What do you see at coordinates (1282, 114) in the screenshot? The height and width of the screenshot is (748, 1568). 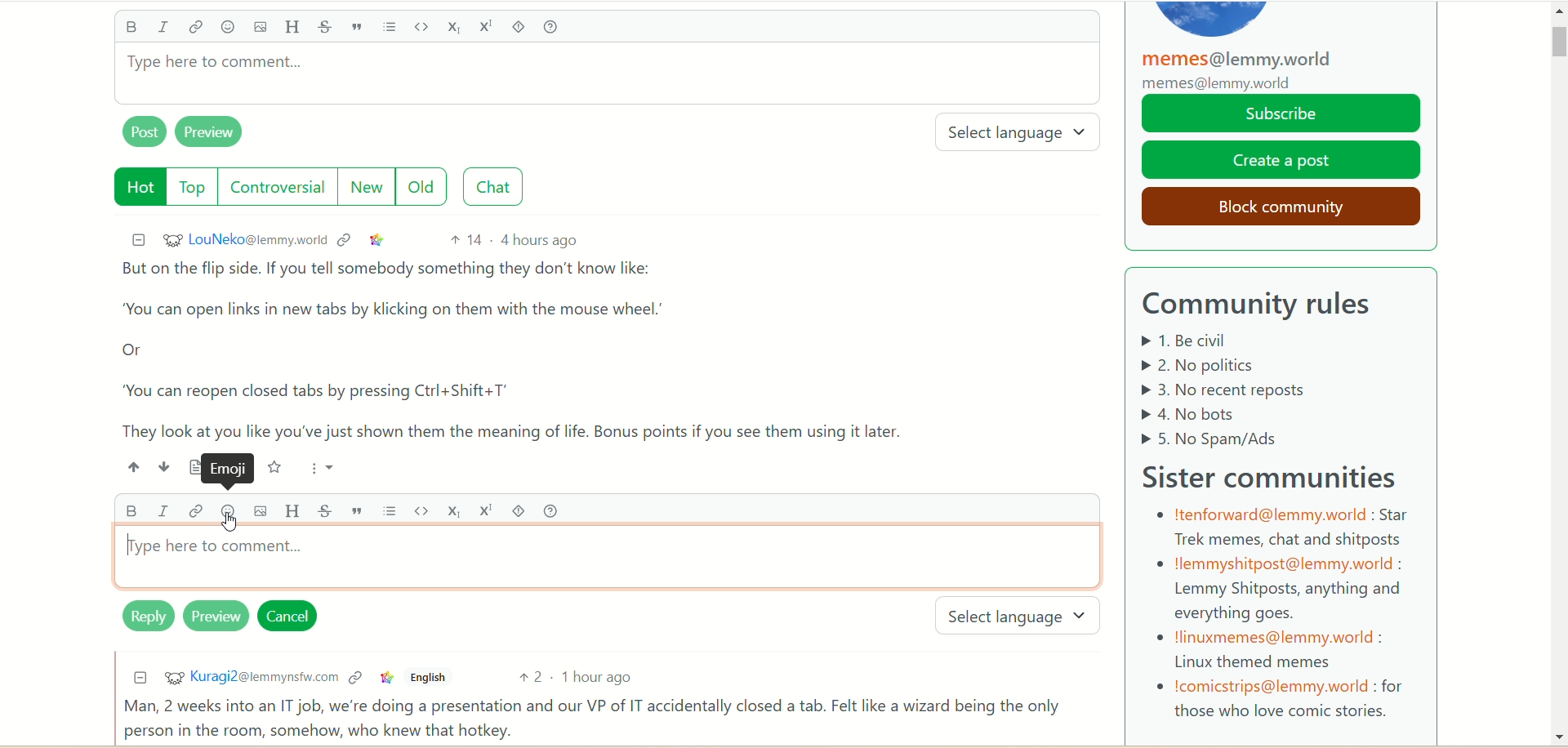 I see `subscribe` at bounding box center [1282, 114].